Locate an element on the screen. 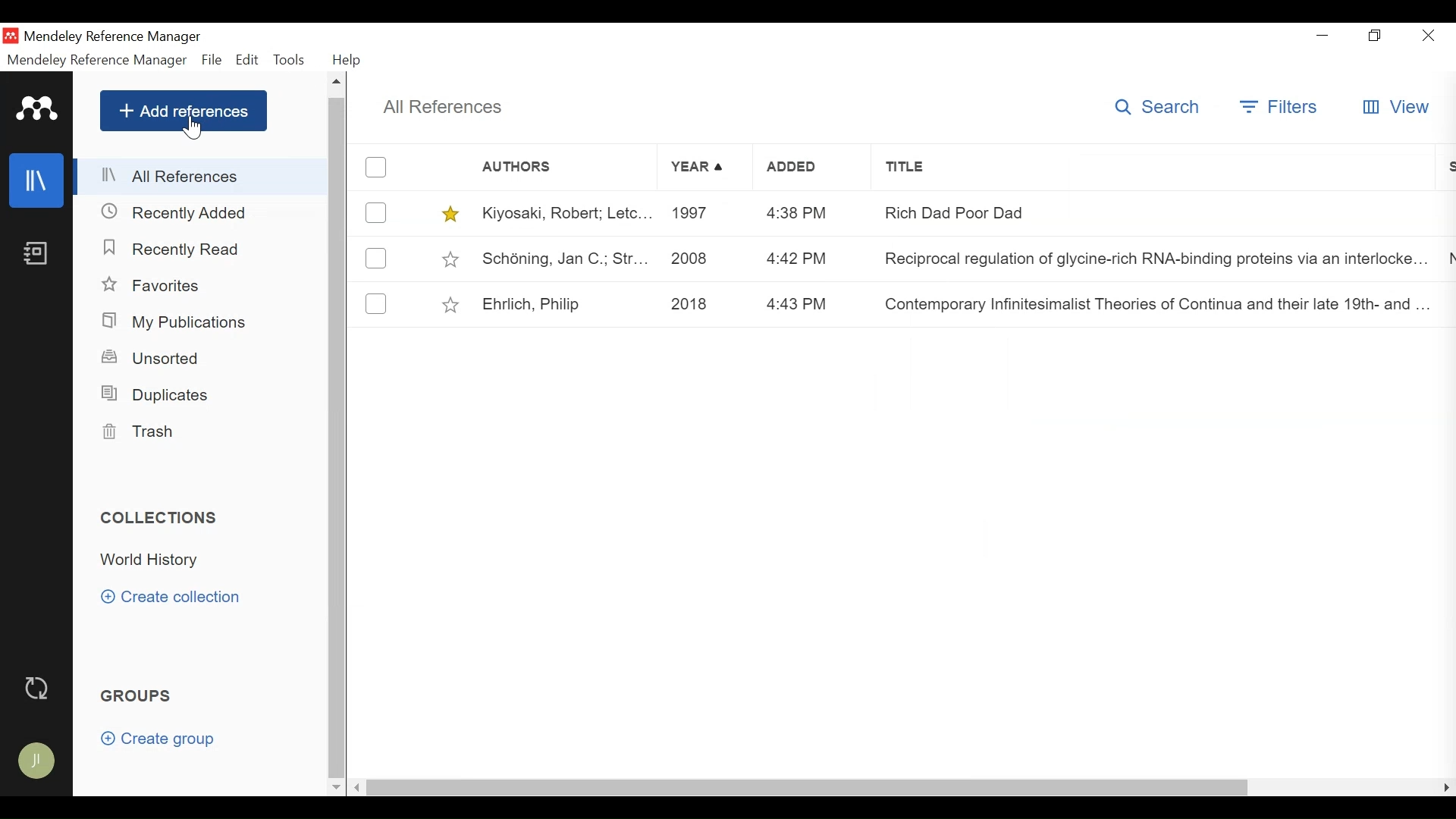  Tools is located at coordinates (292, 60).